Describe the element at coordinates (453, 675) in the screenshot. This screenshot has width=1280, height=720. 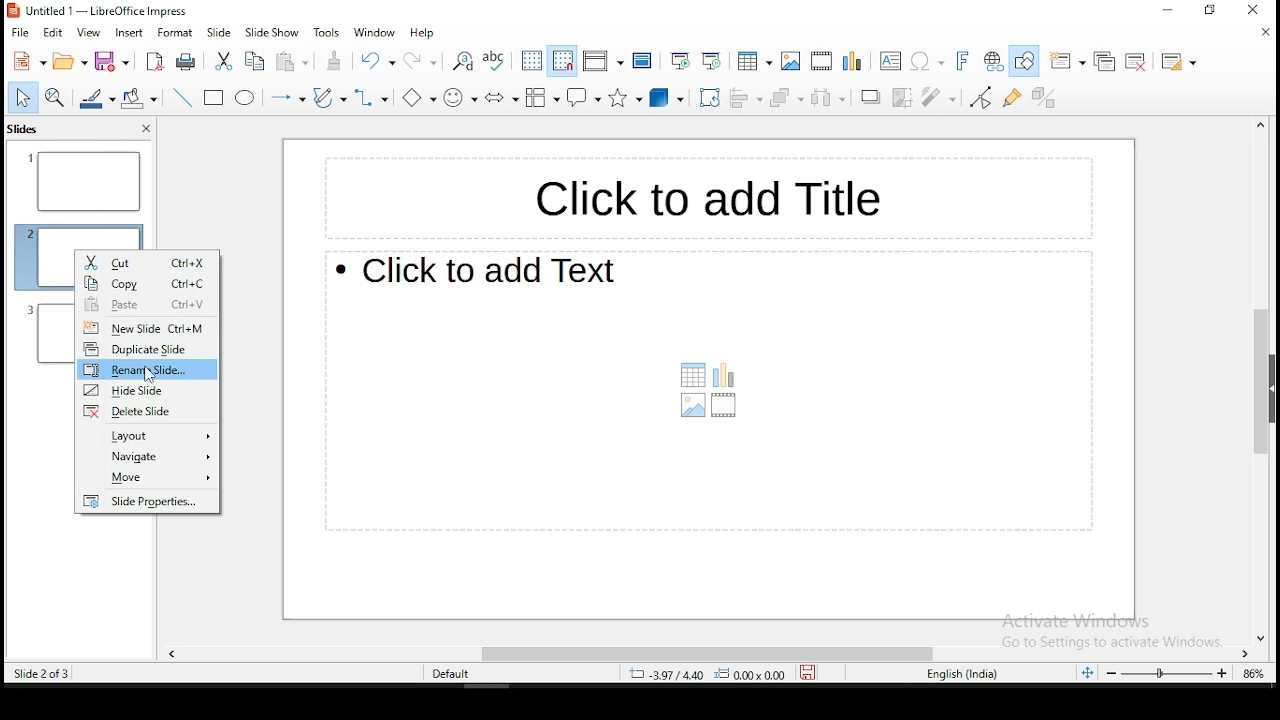
I see `default` at that location.